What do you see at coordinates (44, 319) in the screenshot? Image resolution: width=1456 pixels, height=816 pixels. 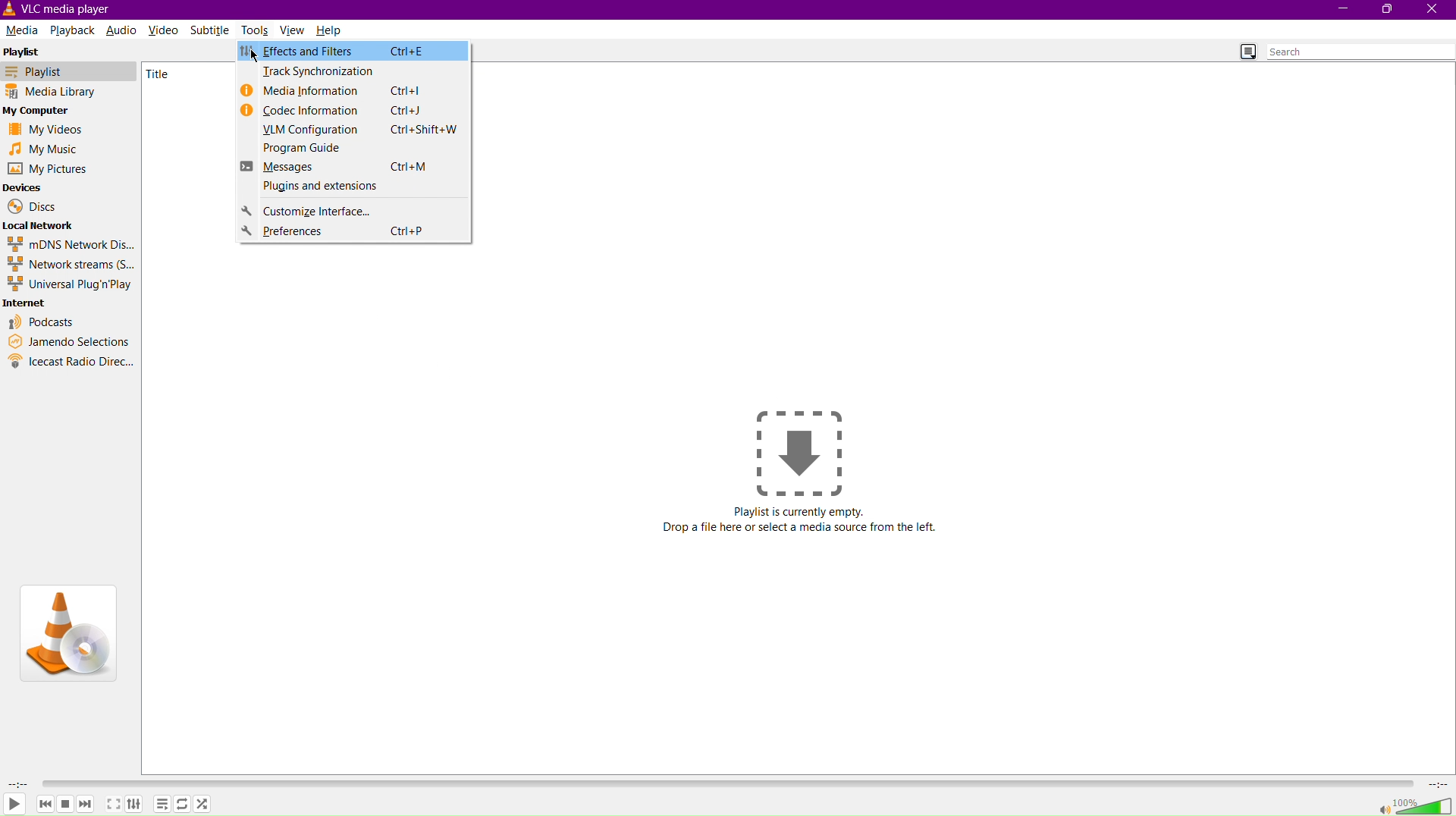 I see `Podcasts` at bounding box center [44, 319].